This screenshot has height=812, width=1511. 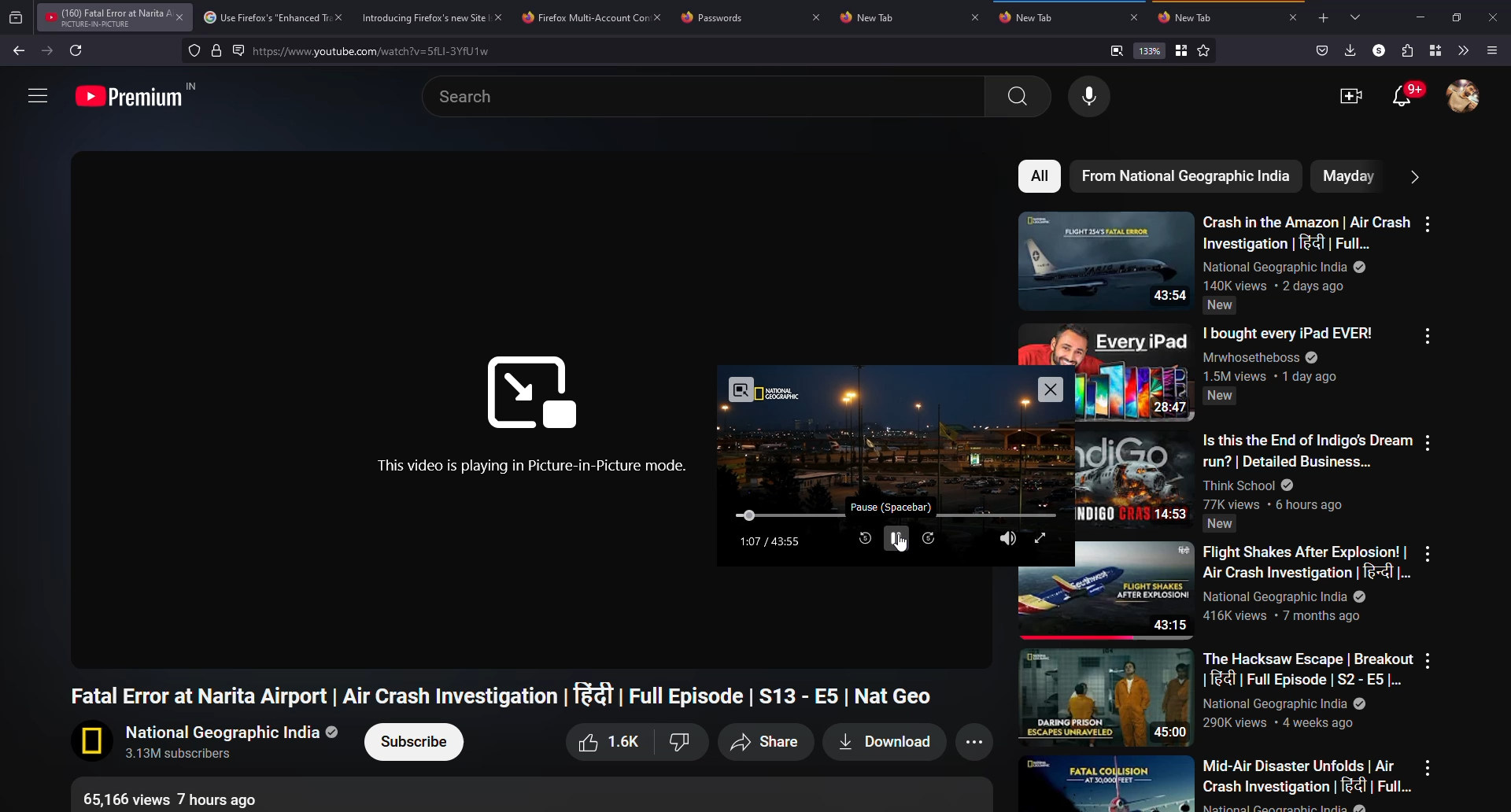 What do you see at coordinates (1496, 17) in the screenshot?
I see `close` at bounding box center [1496, 17].